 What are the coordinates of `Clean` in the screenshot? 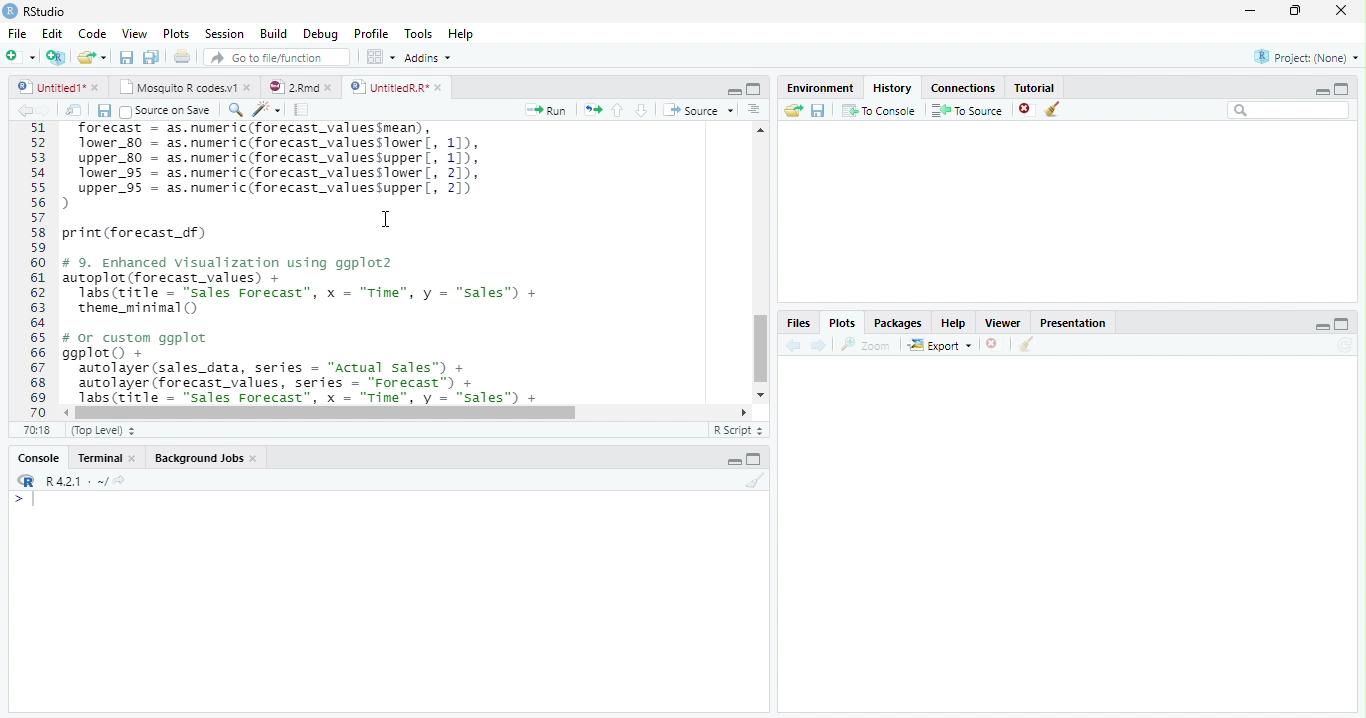 It's located at (753, 481).